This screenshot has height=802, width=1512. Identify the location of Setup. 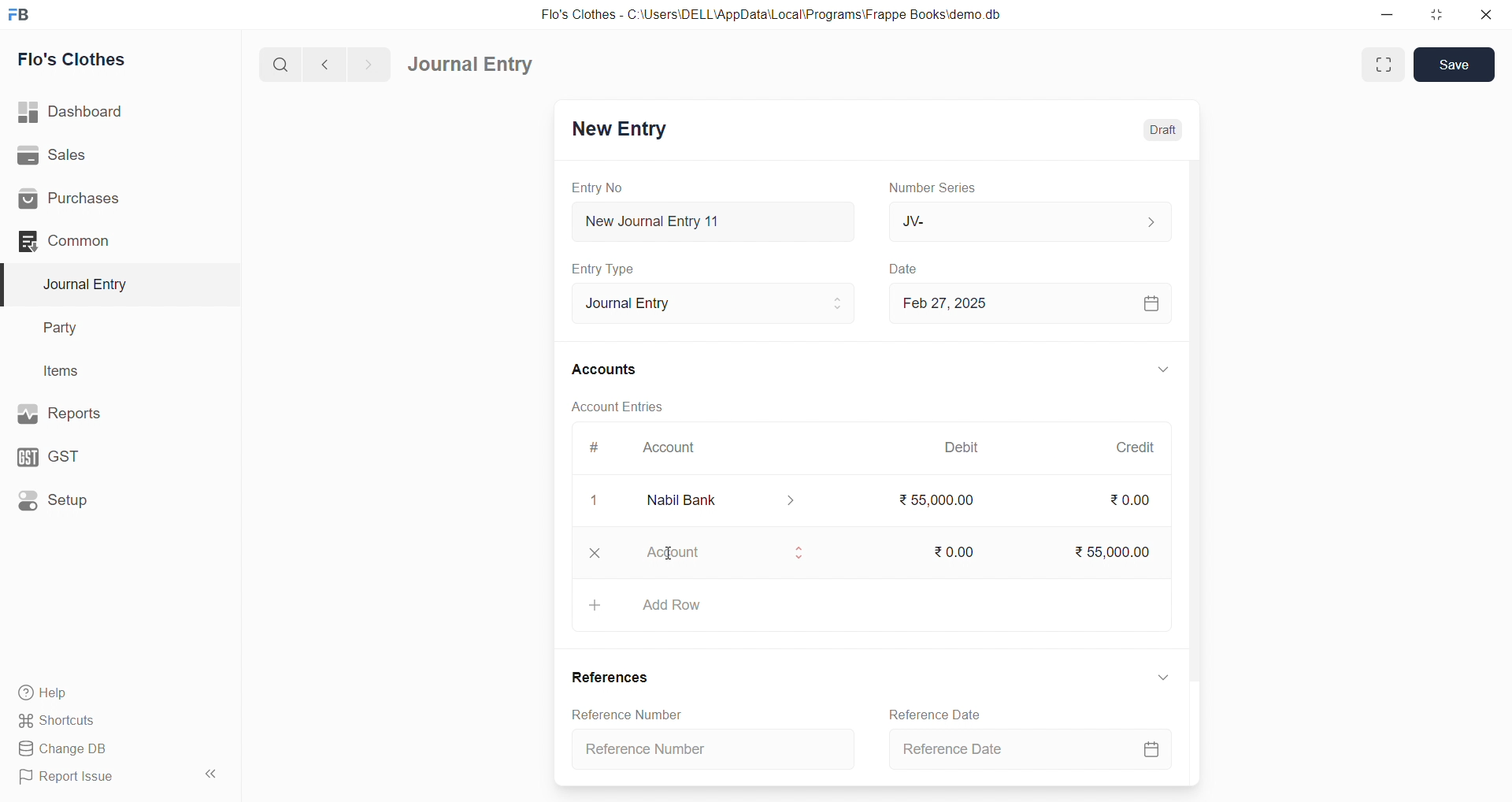
(91, 503).